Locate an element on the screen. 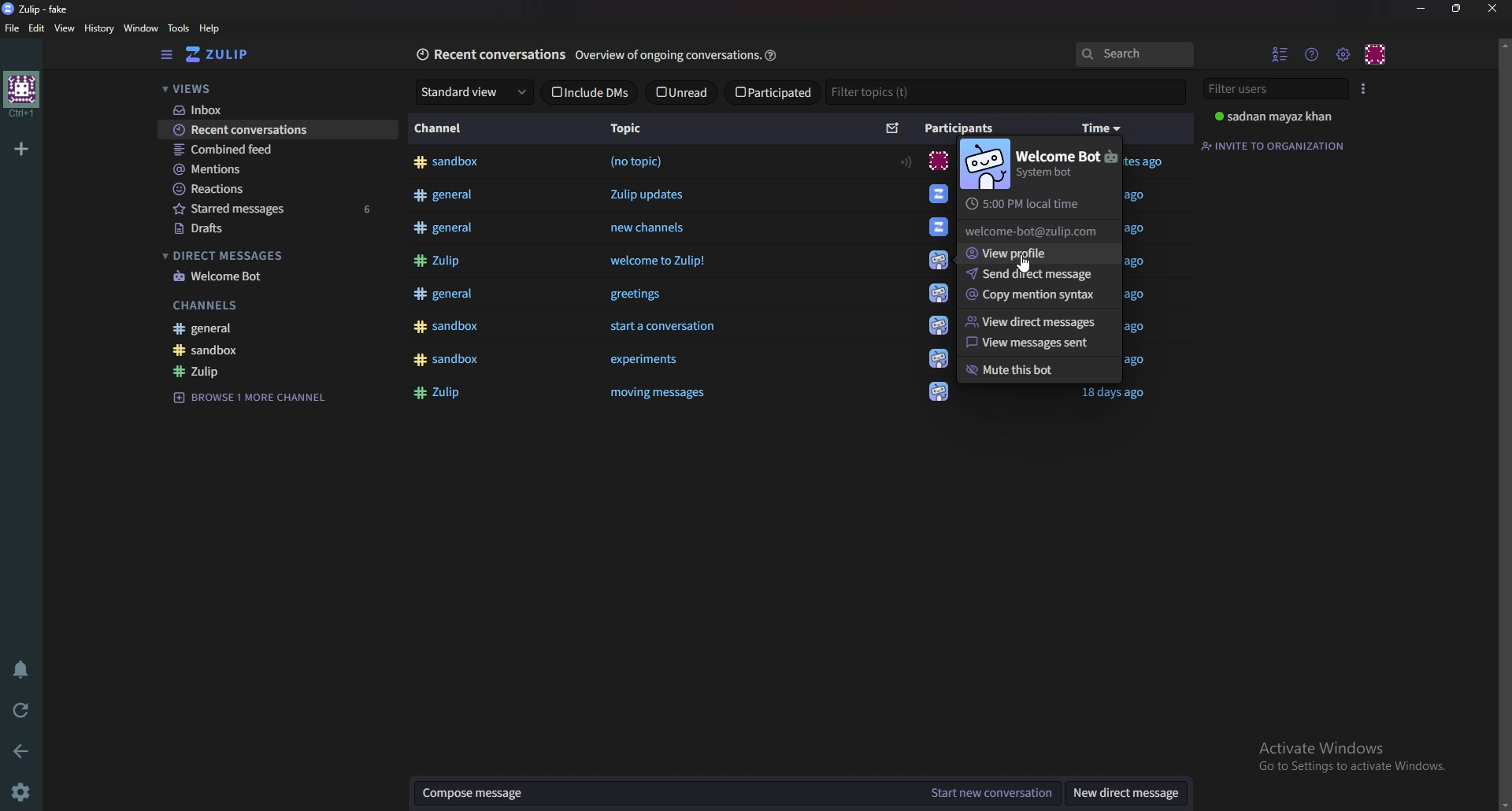 Image resolution: width=1512 pixels, height=811 pixels. View is located at coordinates (63, 28).